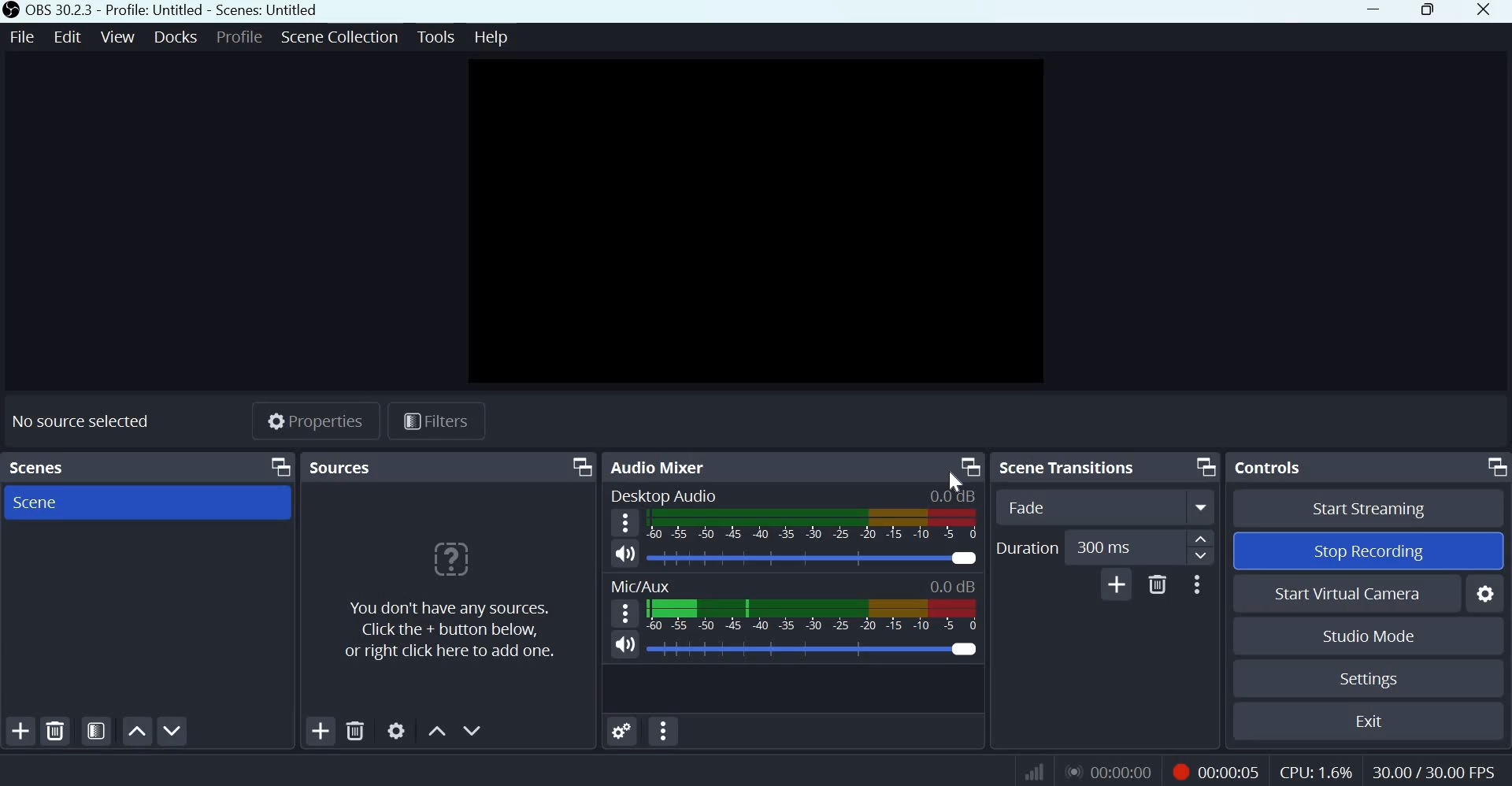 The height and width of the screenshot is (786, 1512). What do you see at coordinates (355, 732) in the screenshot?
I see `Deleted selected source(s)` at bounding box center [355, 732].